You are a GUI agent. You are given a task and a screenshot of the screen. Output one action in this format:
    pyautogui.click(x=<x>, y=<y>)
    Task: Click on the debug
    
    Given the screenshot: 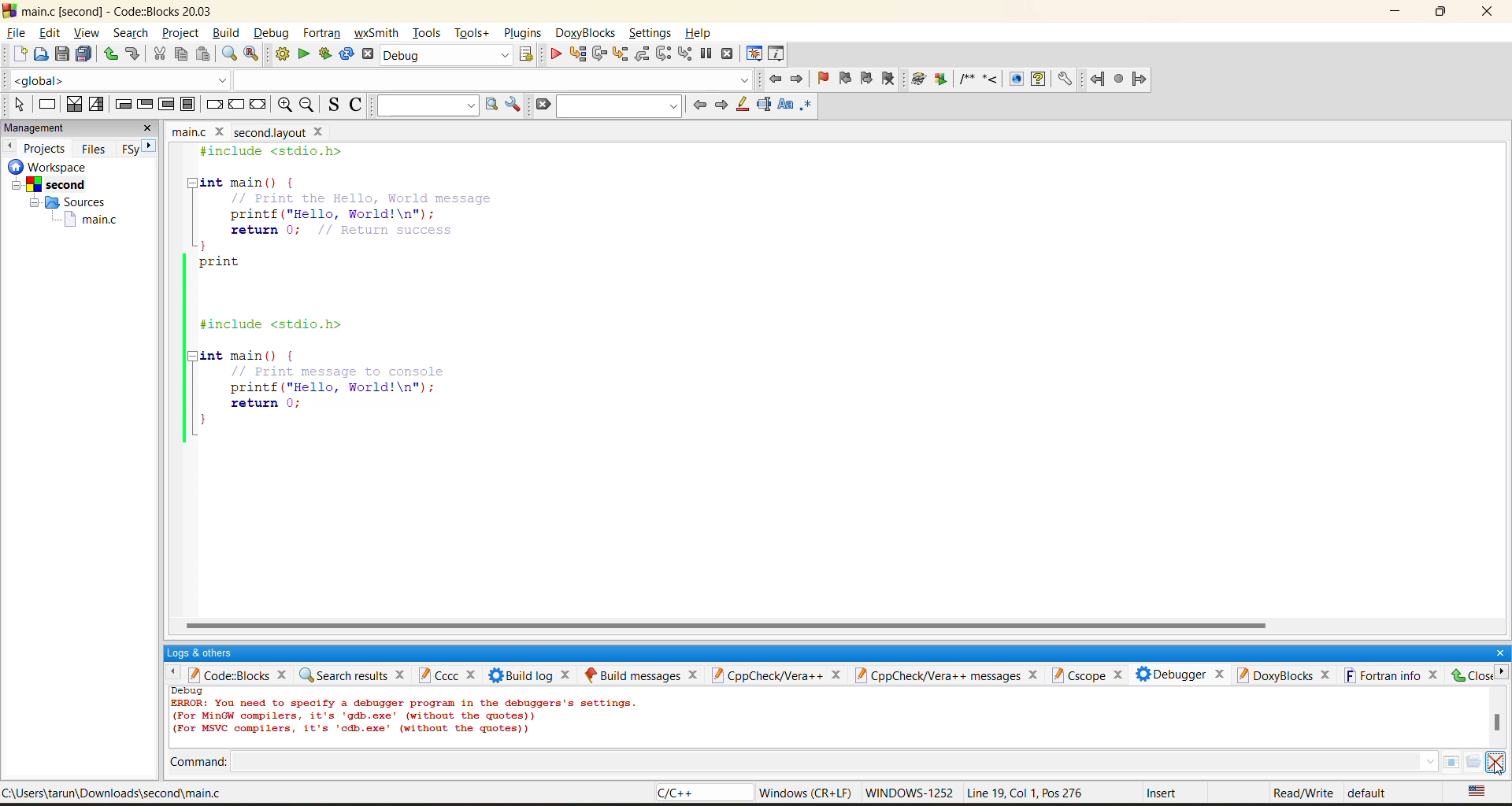 What is the action you would take?
    pyautogui.click(x=554, y=54)
    